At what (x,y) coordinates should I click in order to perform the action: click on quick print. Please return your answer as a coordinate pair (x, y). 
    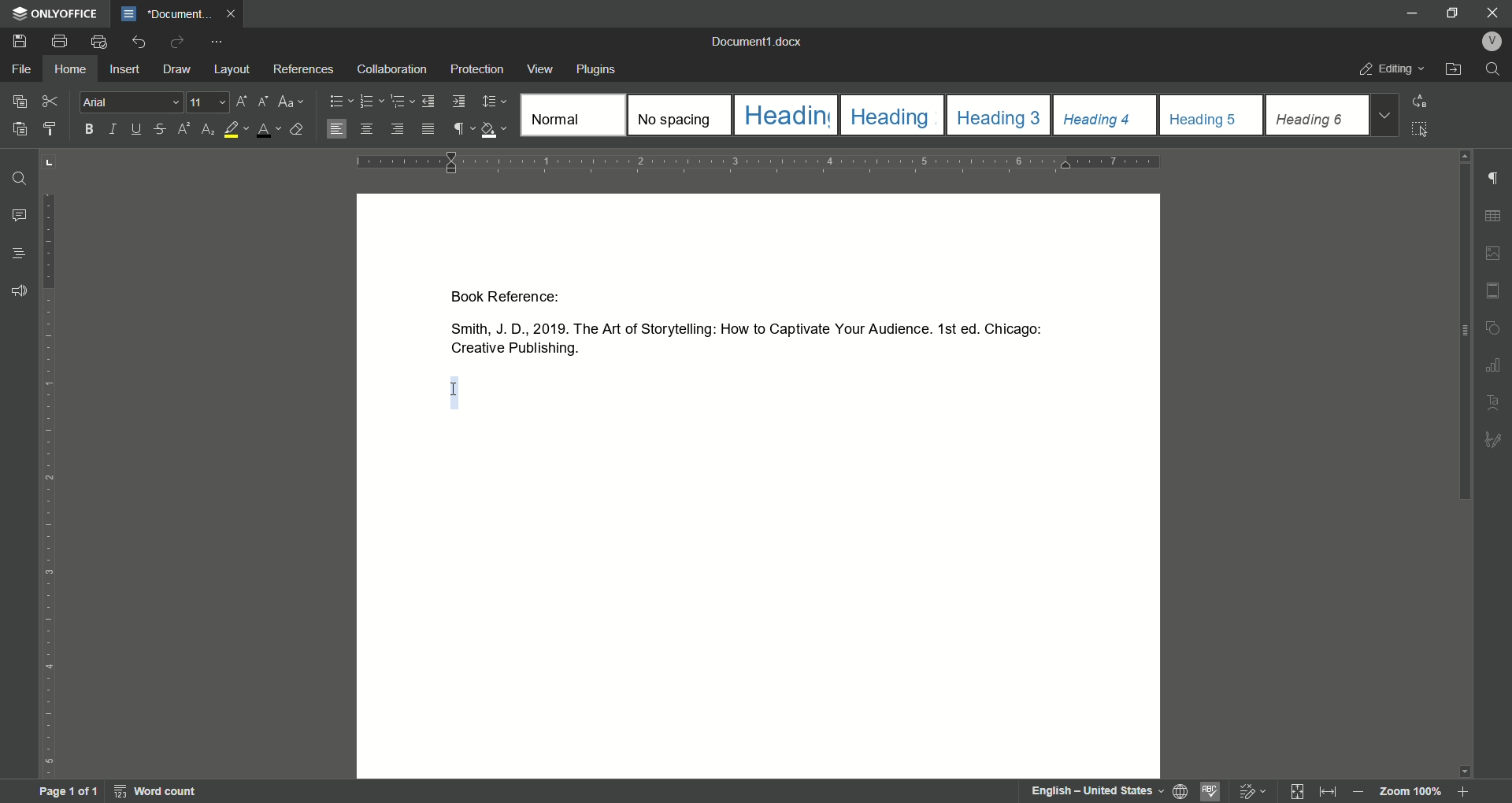
    Looking at the image, I should click on (100, 42).